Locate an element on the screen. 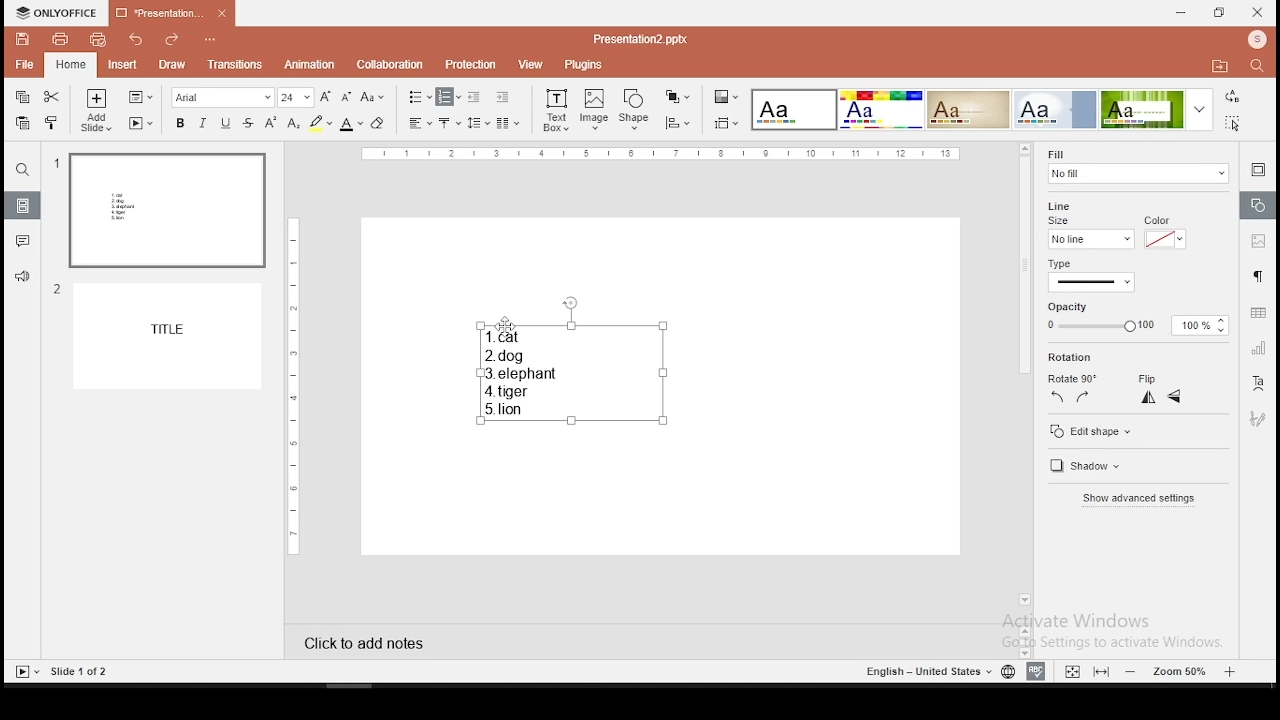  line size is located at coordinates (1064, 212).